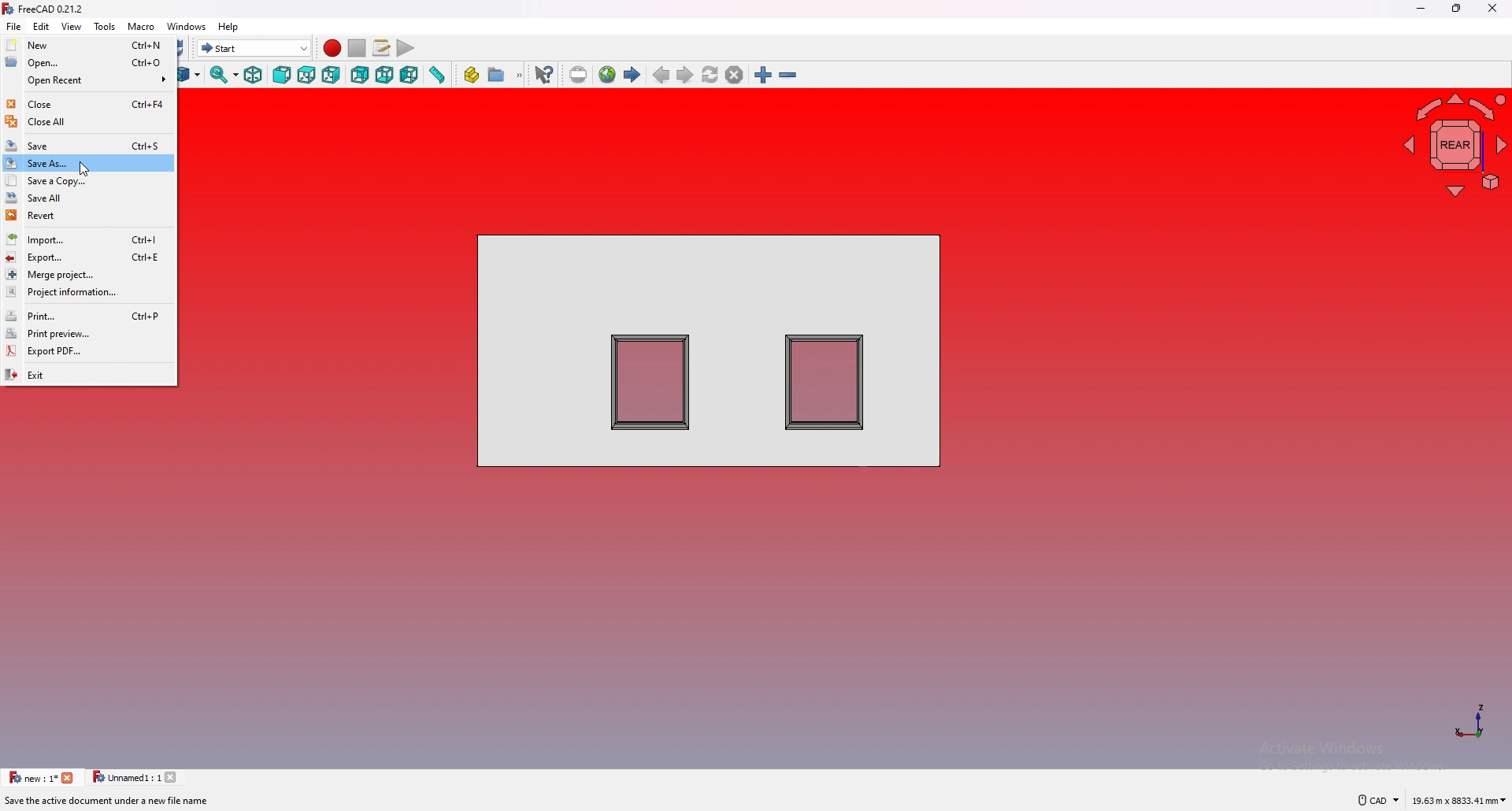 This screenshot has width=1512, height=811. Describe the element at coordinates (52, 9) in the screenshot. I see `FreeCAD 0.21.2` at that location.